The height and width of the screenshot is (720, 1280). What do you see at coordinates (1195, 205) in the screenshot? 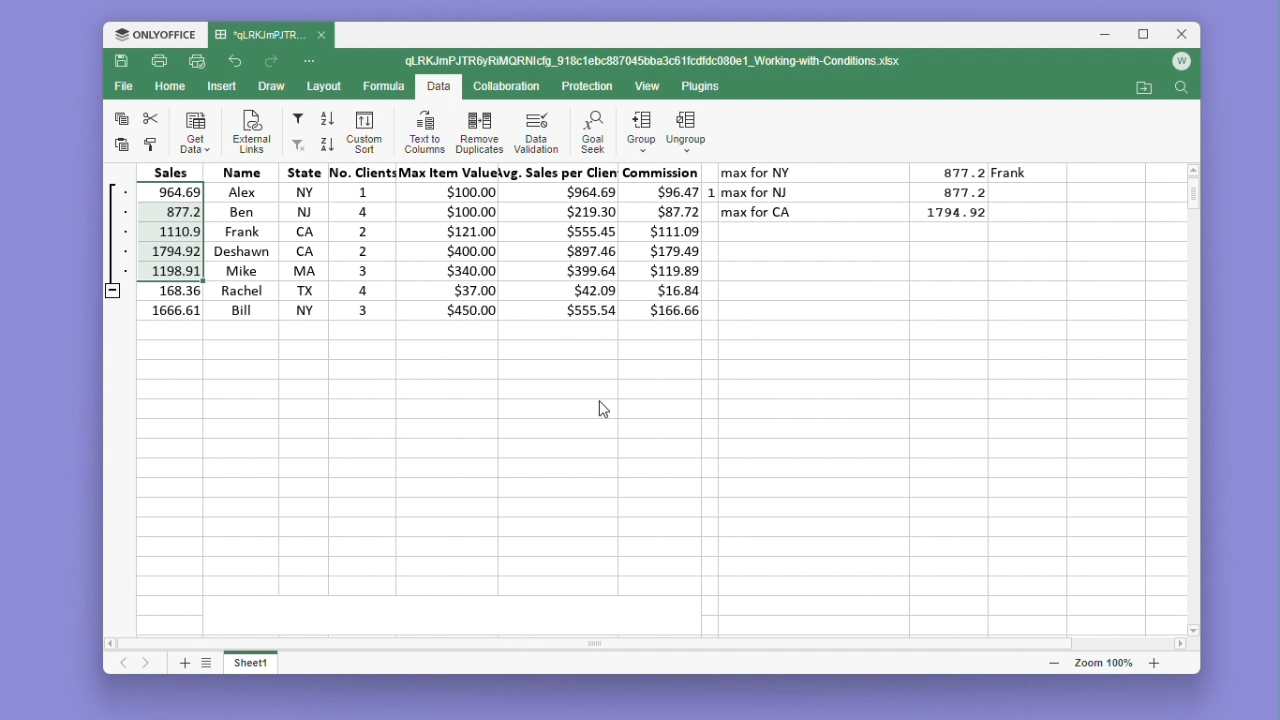
I see `Vertical scroll bar` at bounding box center [1195, 205].